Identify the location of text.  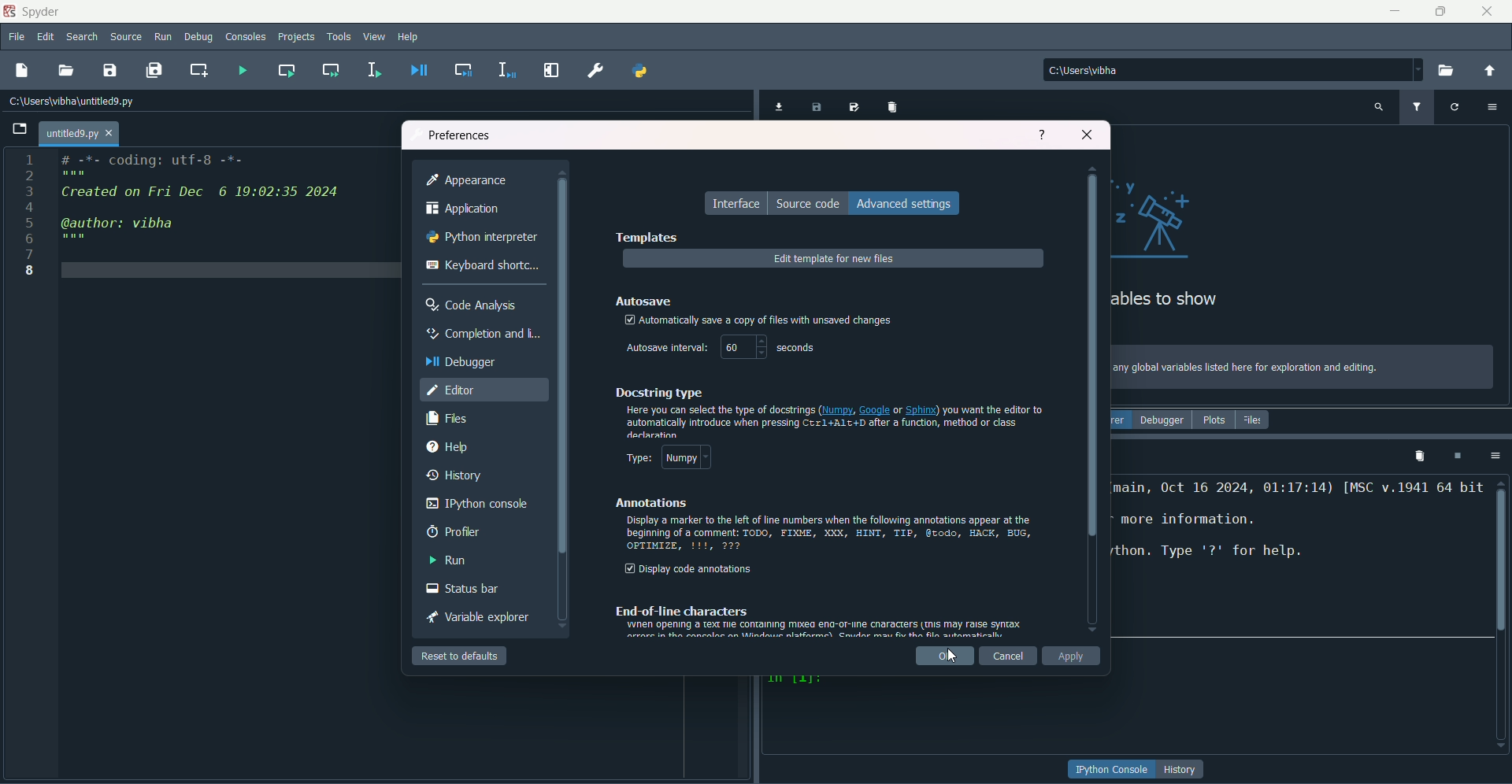
(1169, 300).